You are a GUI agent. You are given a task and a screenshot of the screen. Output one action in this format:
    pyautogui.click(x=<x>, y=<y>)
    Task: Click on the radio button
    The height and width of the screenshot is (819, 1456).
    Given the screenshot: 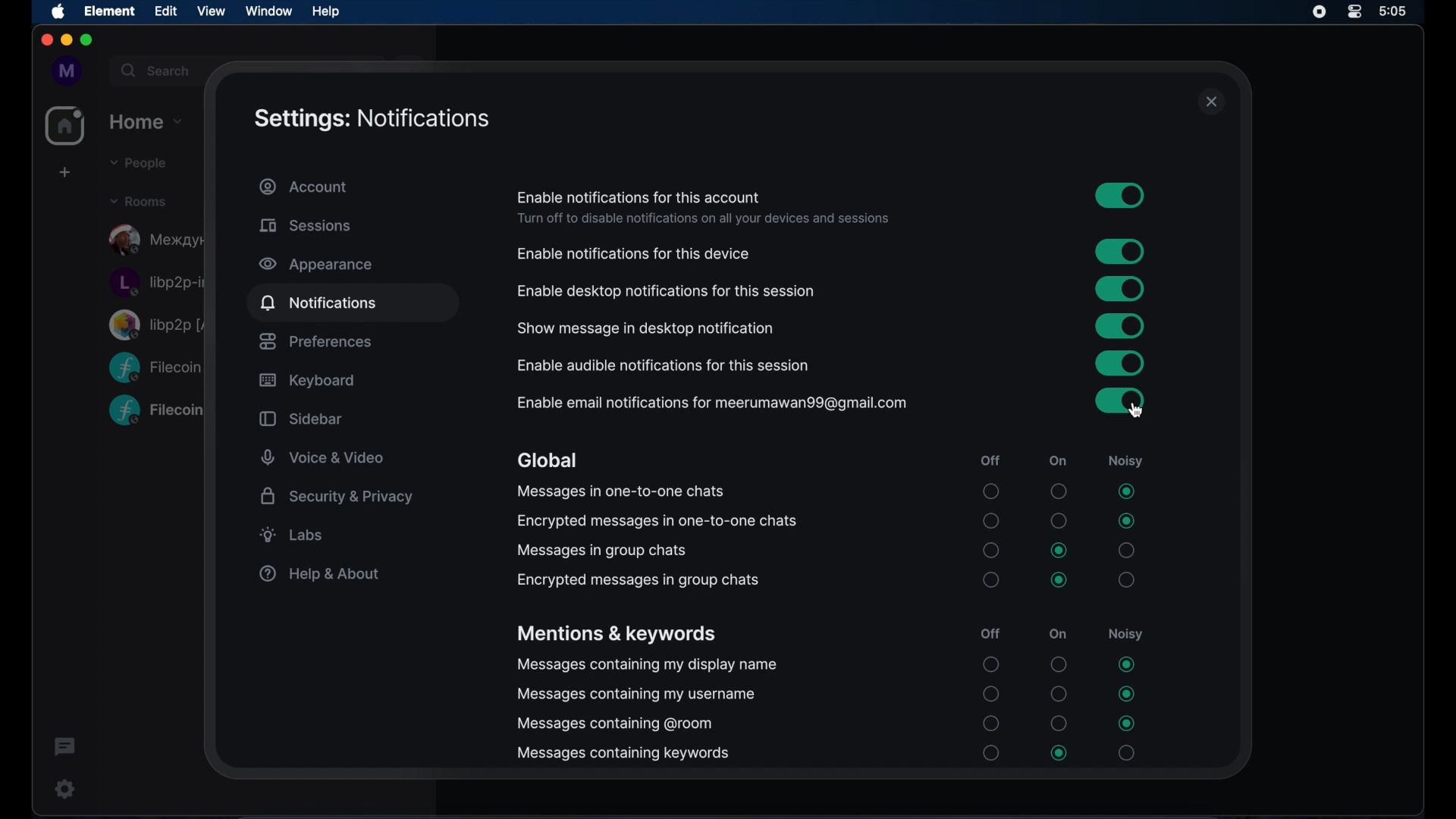 What is the action you would take?
    pyautogui.click(x=991, y=521)
    